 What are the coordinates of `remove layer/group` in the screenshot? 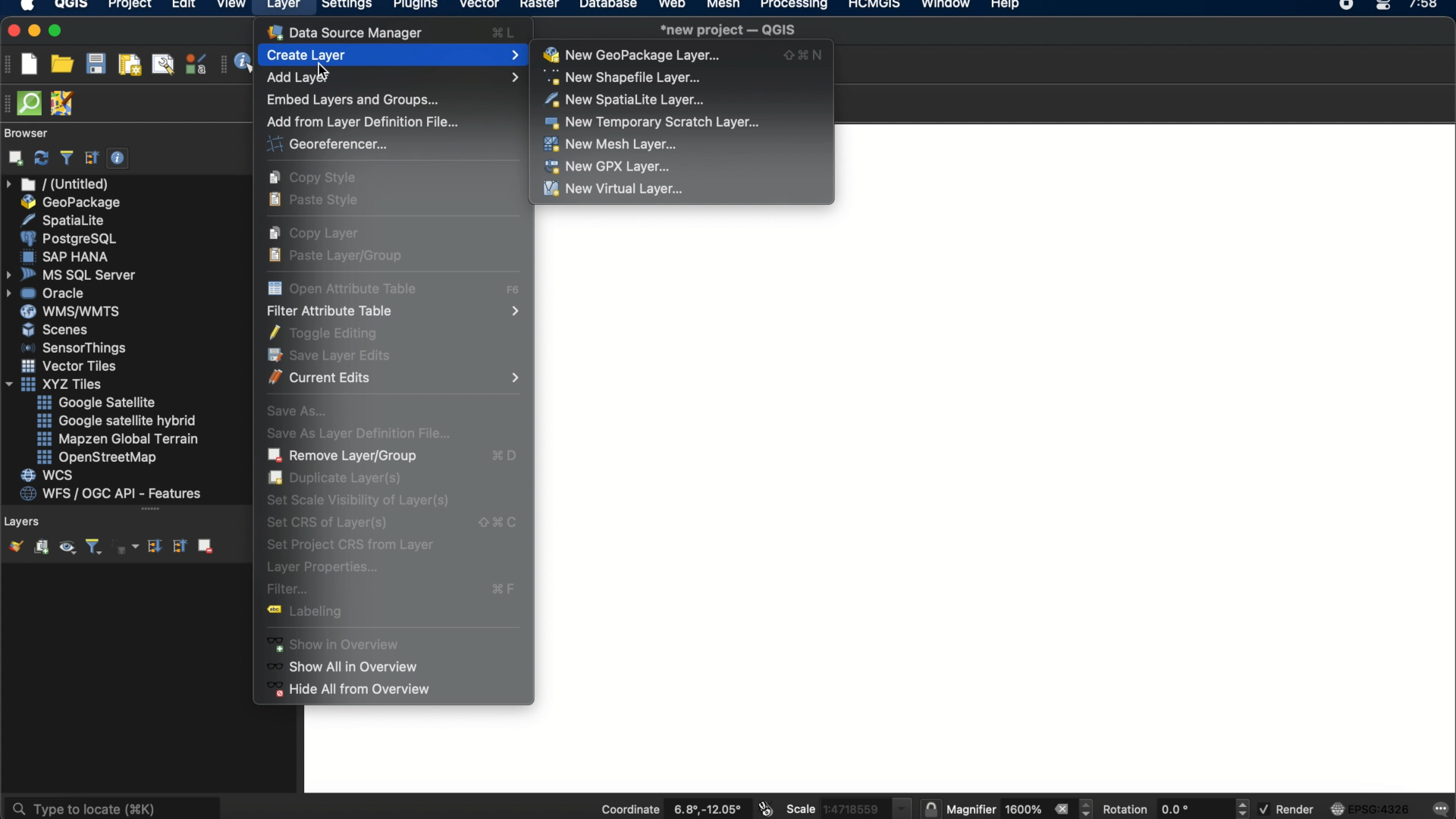 It's located at (393, 456).